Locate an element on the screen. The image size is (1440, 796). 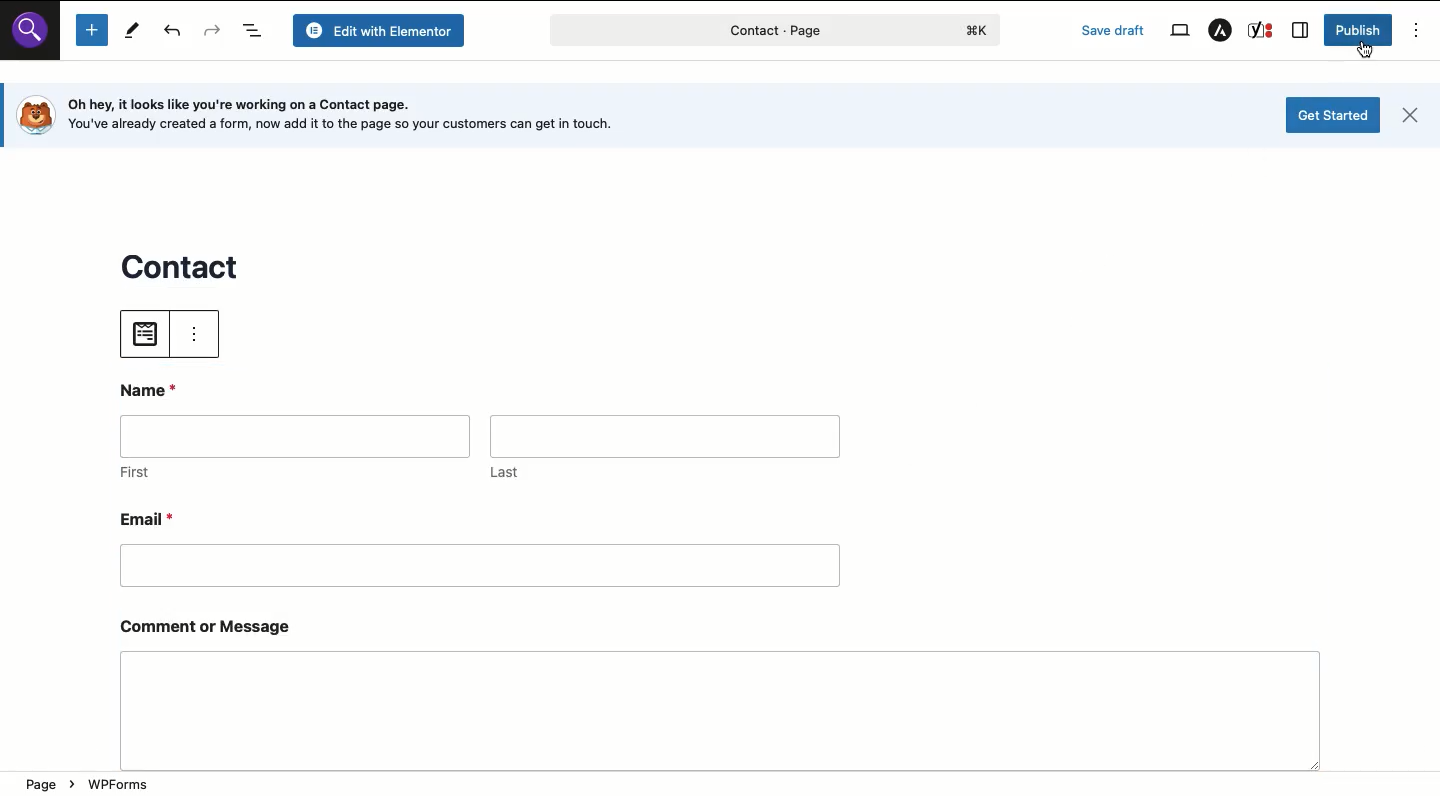
Oh hey, it looks like you're working on a Contact page.
[o} You've already created a form, now add it to the page so your customers can get in touch. is located at coordinates (356, 117).